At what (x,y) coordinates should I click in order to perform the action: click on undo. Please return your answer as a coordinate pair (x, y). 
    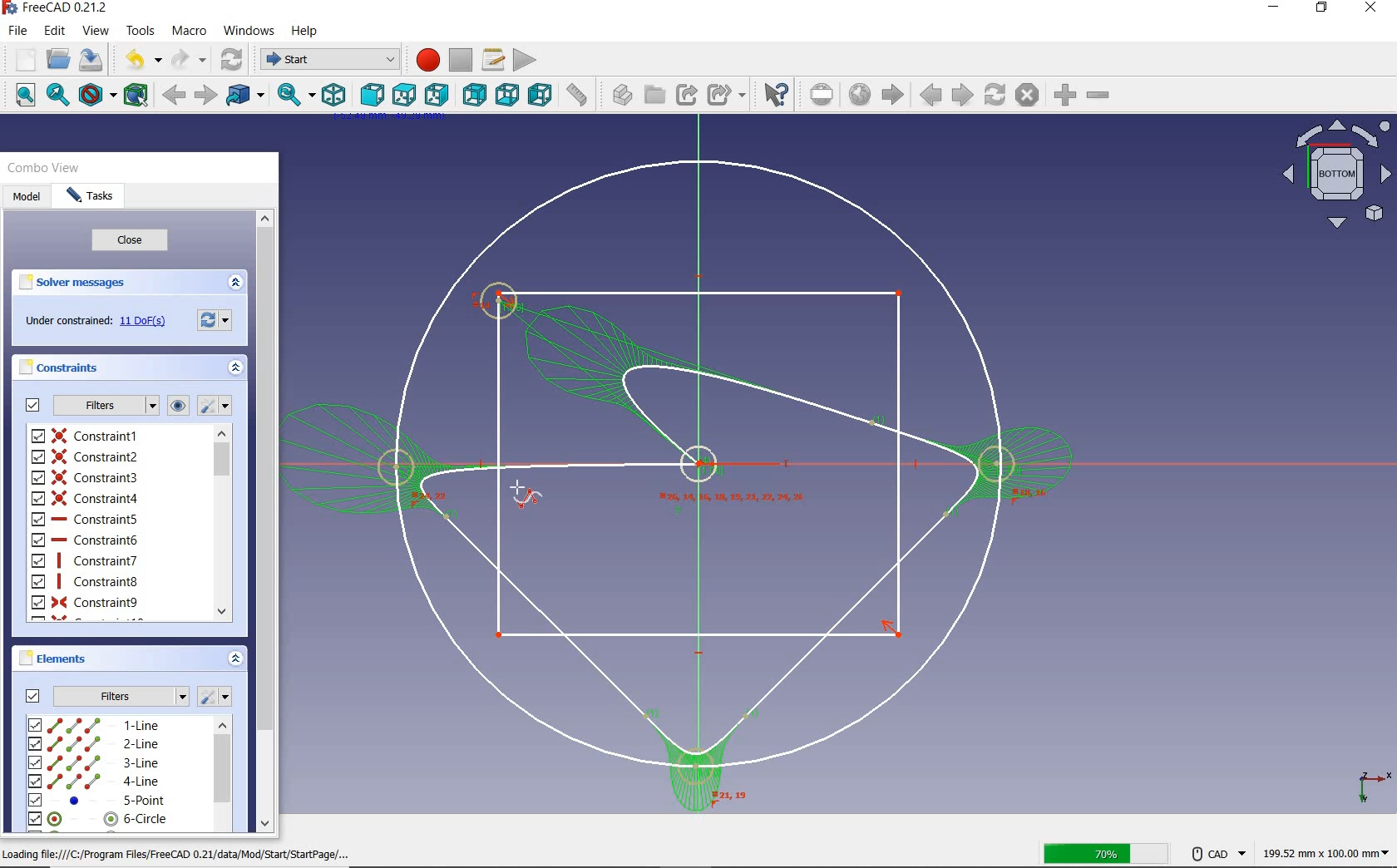
    Looking at the image, I should click on (137, 58).